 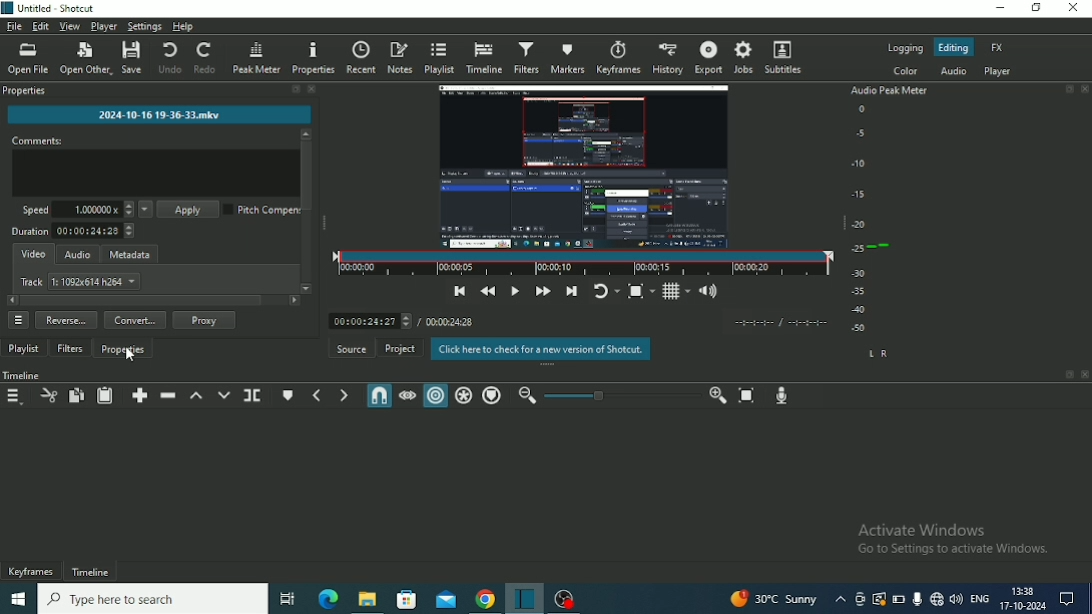 I want to click on Audio, so click(x=954, y=71).